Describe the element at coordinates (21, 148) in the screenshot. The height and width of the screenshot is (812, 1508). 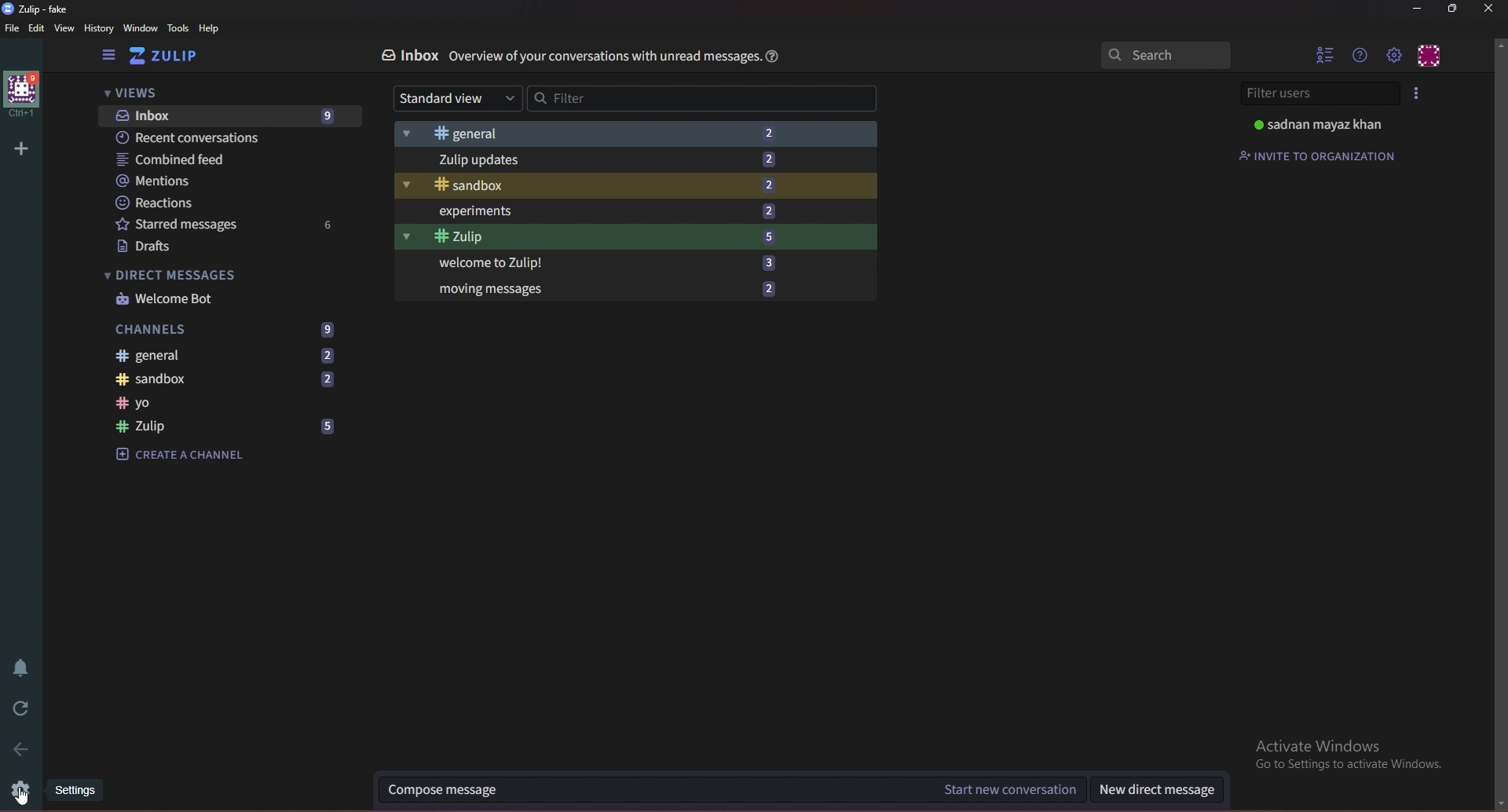
I see `Add organization` at that location.